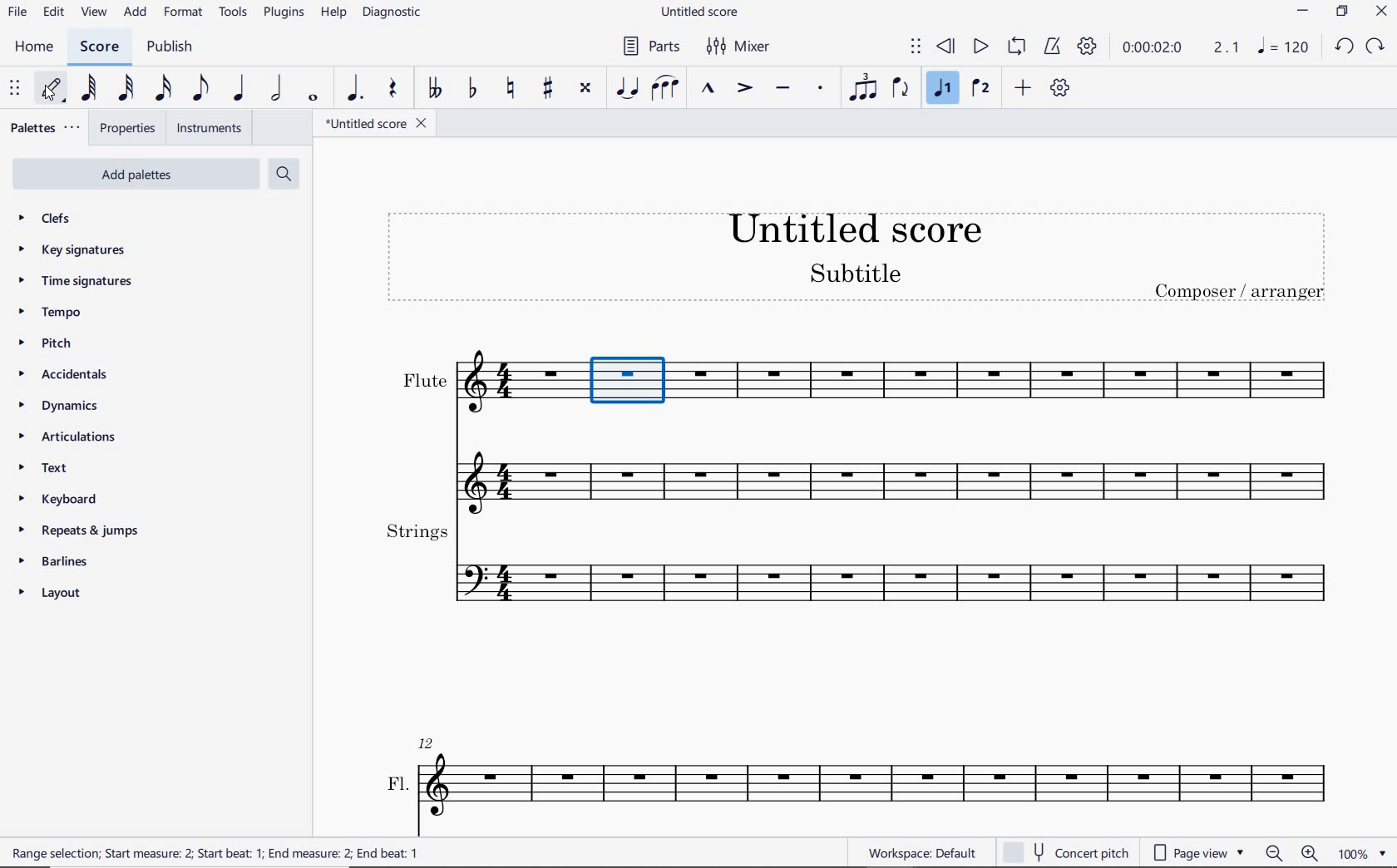 The height and width of the screenshot is (868, 1397). What do you see at coordinates (479, 385) in the screenshot?
I see `` at bounding box center [479, 385].